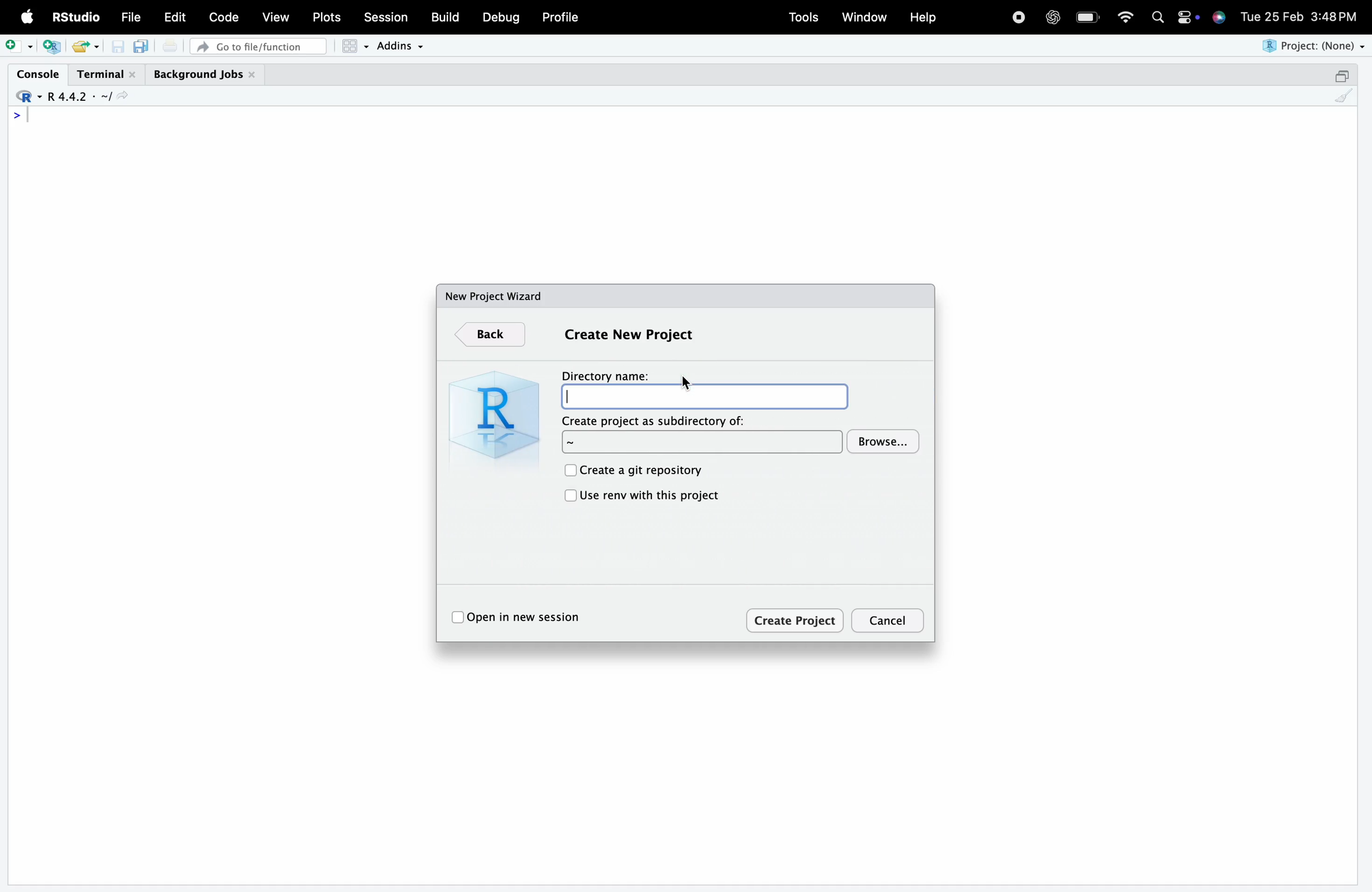 Image resolution: width=1372 pixels, height=892 pixels. I want to click on new file, so click(19, 46).